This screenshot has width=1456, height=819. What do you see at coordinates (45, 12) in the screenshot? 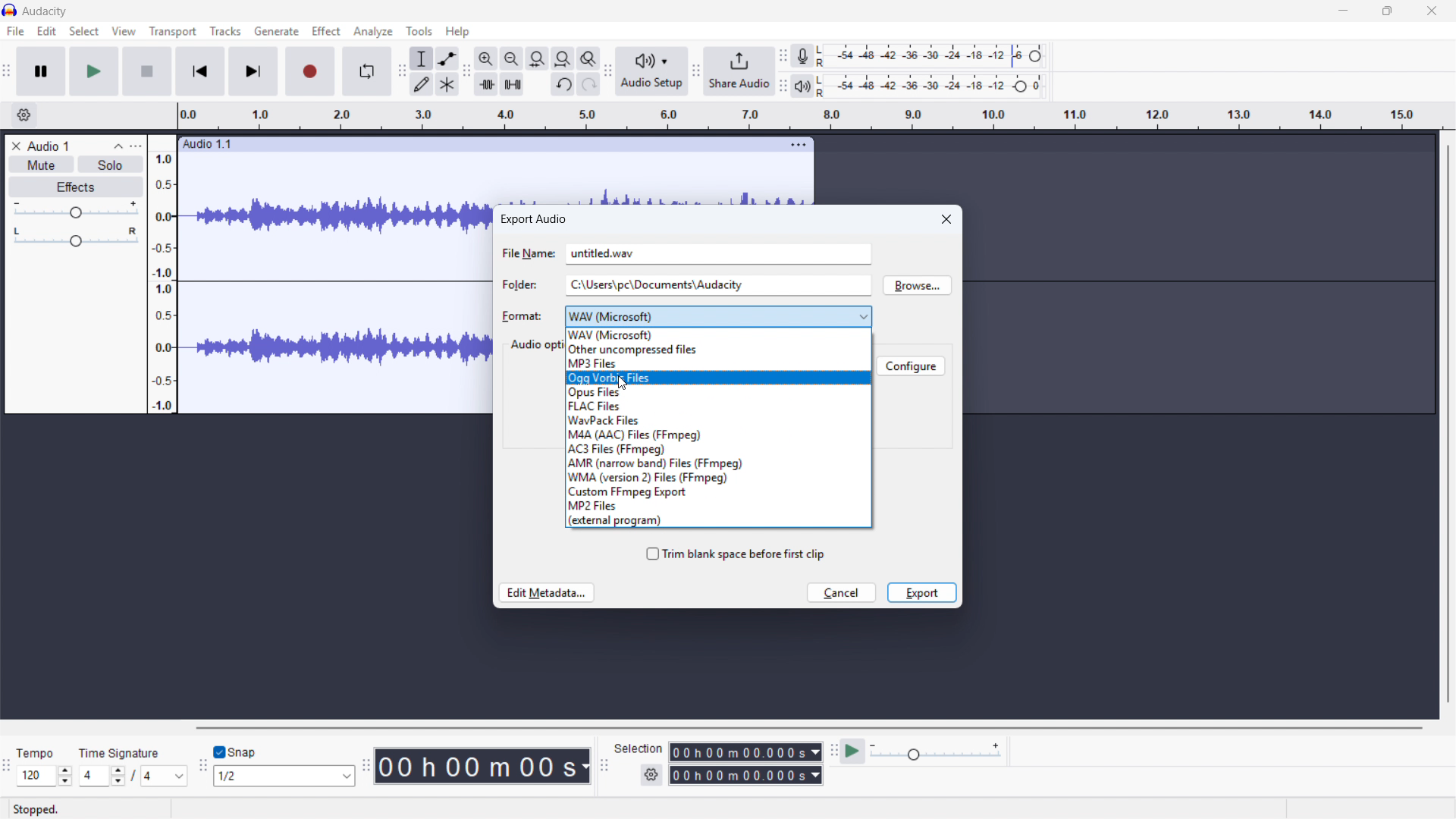
I see `title ` at bounding box center [45, 12].